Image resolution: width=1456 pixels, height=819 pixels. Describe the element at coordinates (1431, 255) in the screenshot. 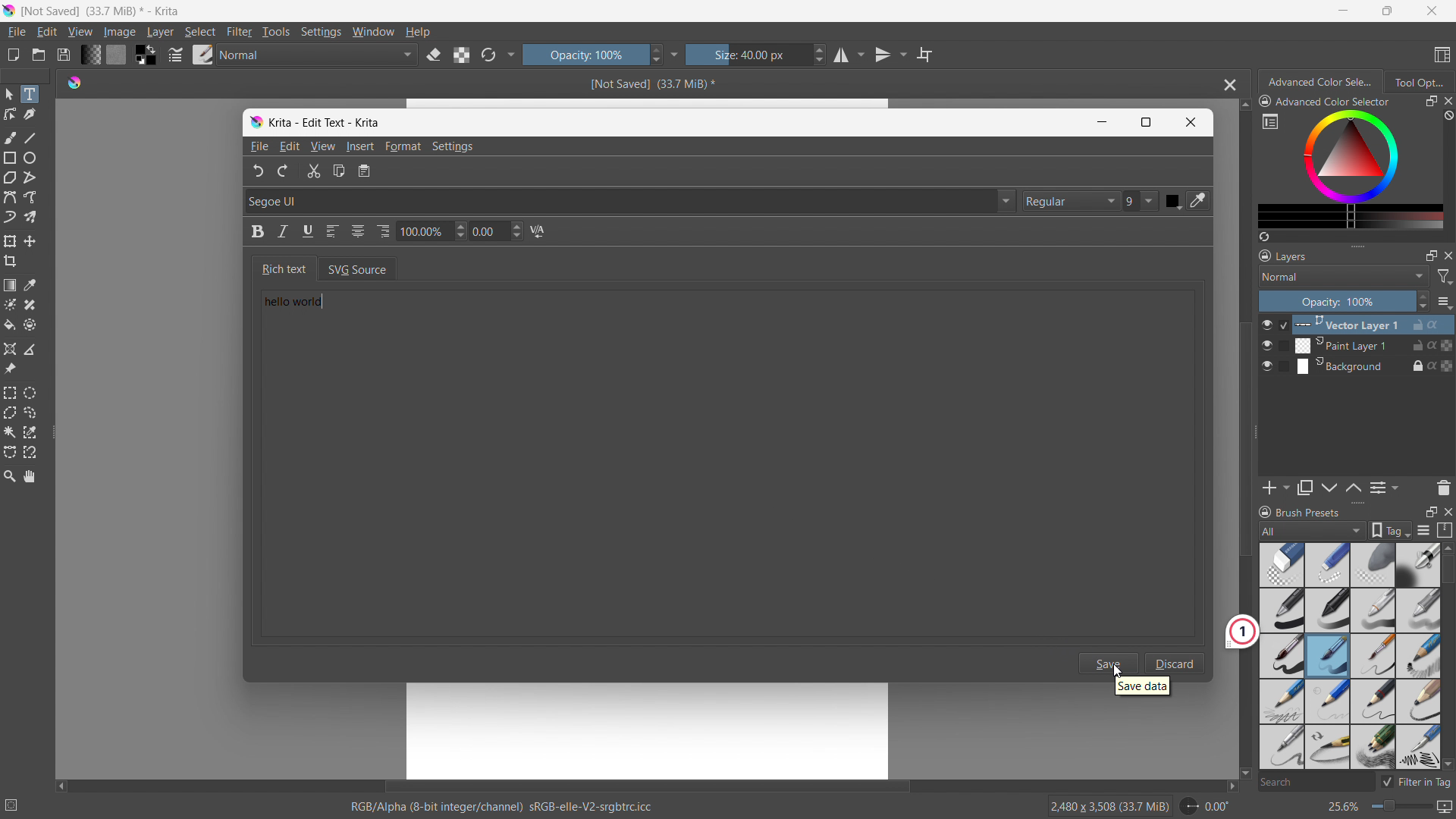

I see `maximize` at that location.